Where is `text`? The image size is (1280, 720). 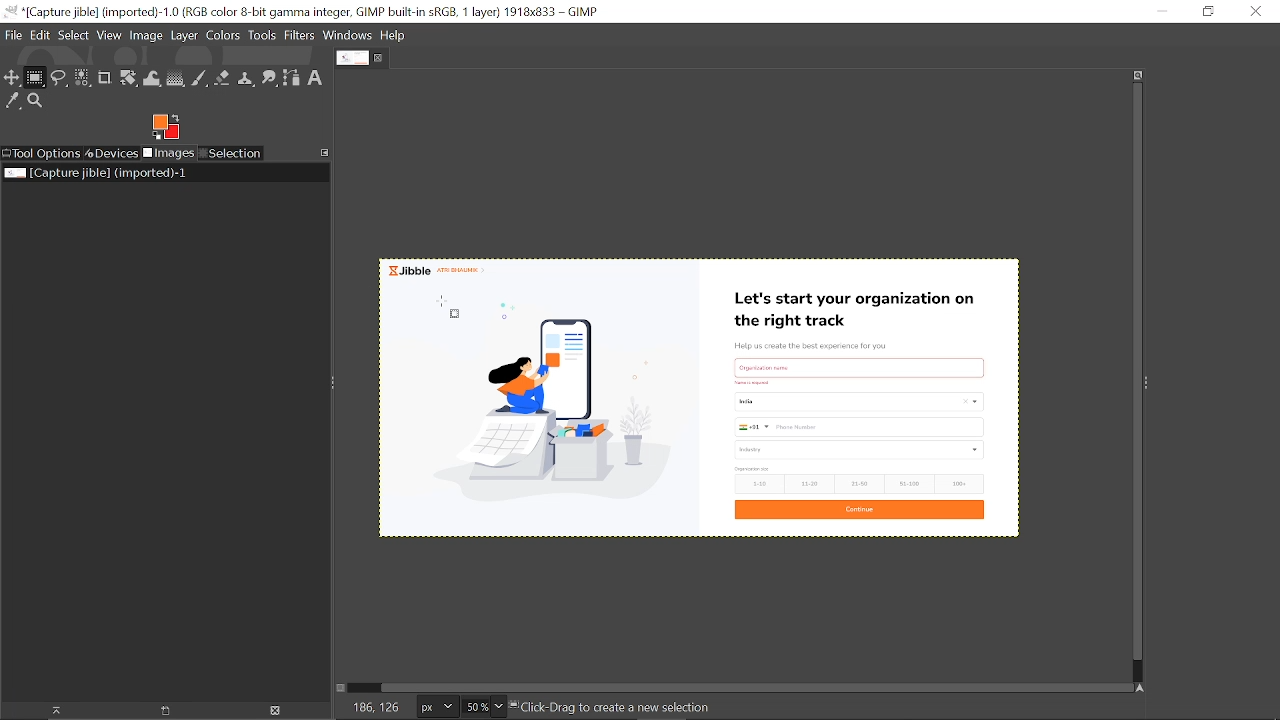 text is located at coordinates (860, 365).